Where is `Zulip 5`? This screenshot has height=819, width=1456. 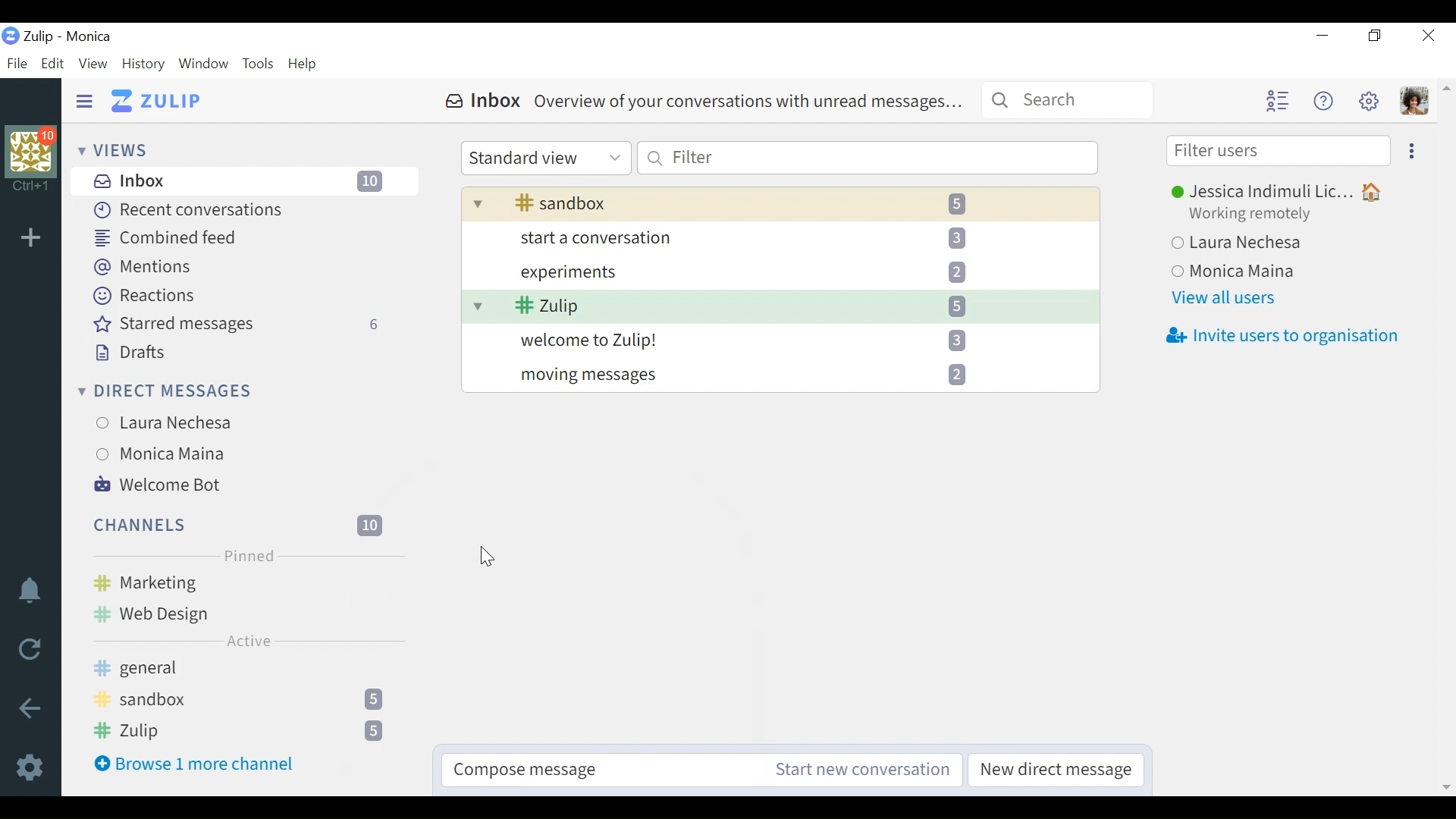 Zulip 5 is located at coordinates (777, 304).